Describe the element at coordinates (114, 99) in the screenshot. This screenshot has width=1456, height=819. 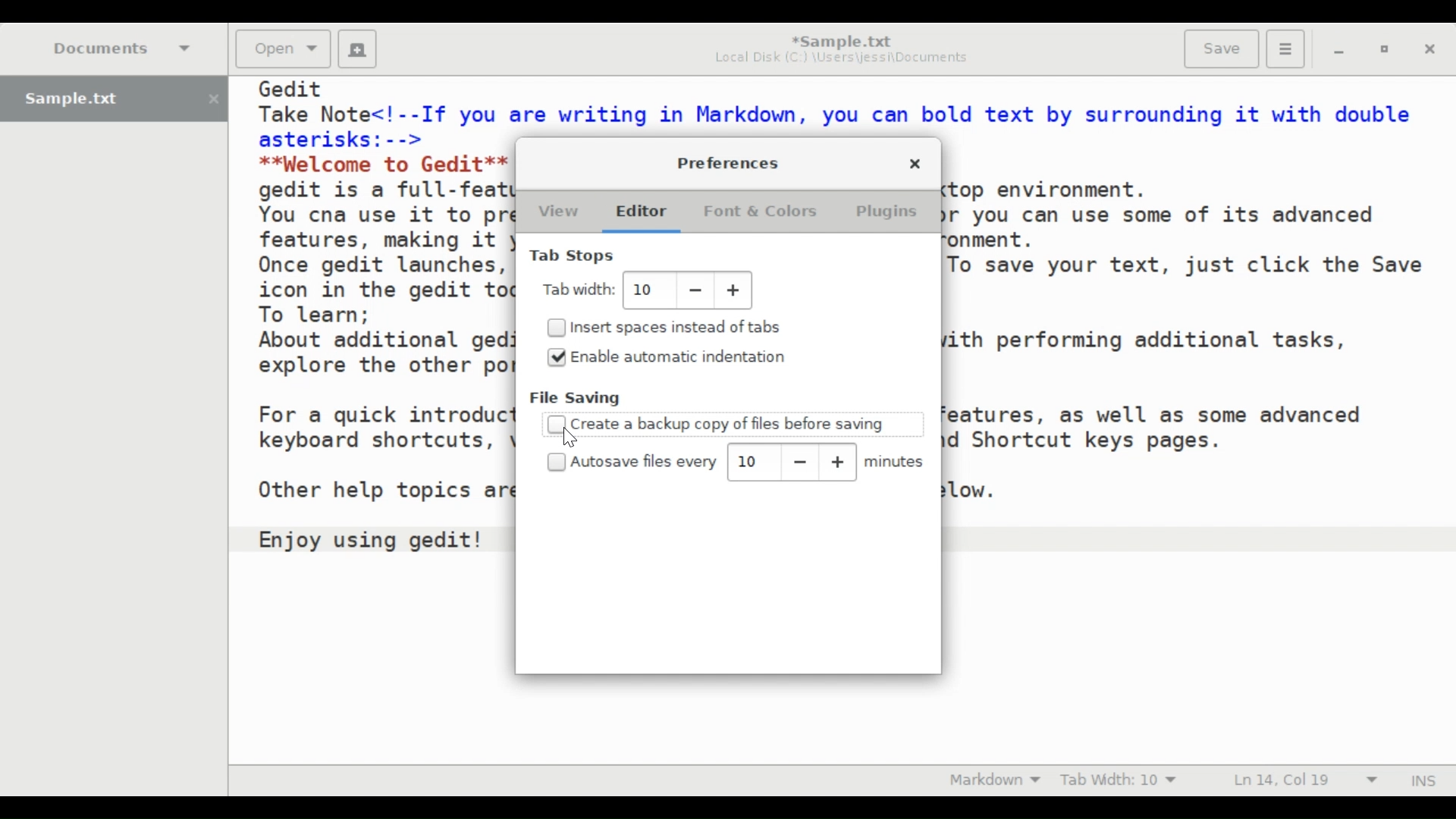
I see `Sample.txt` at that location.